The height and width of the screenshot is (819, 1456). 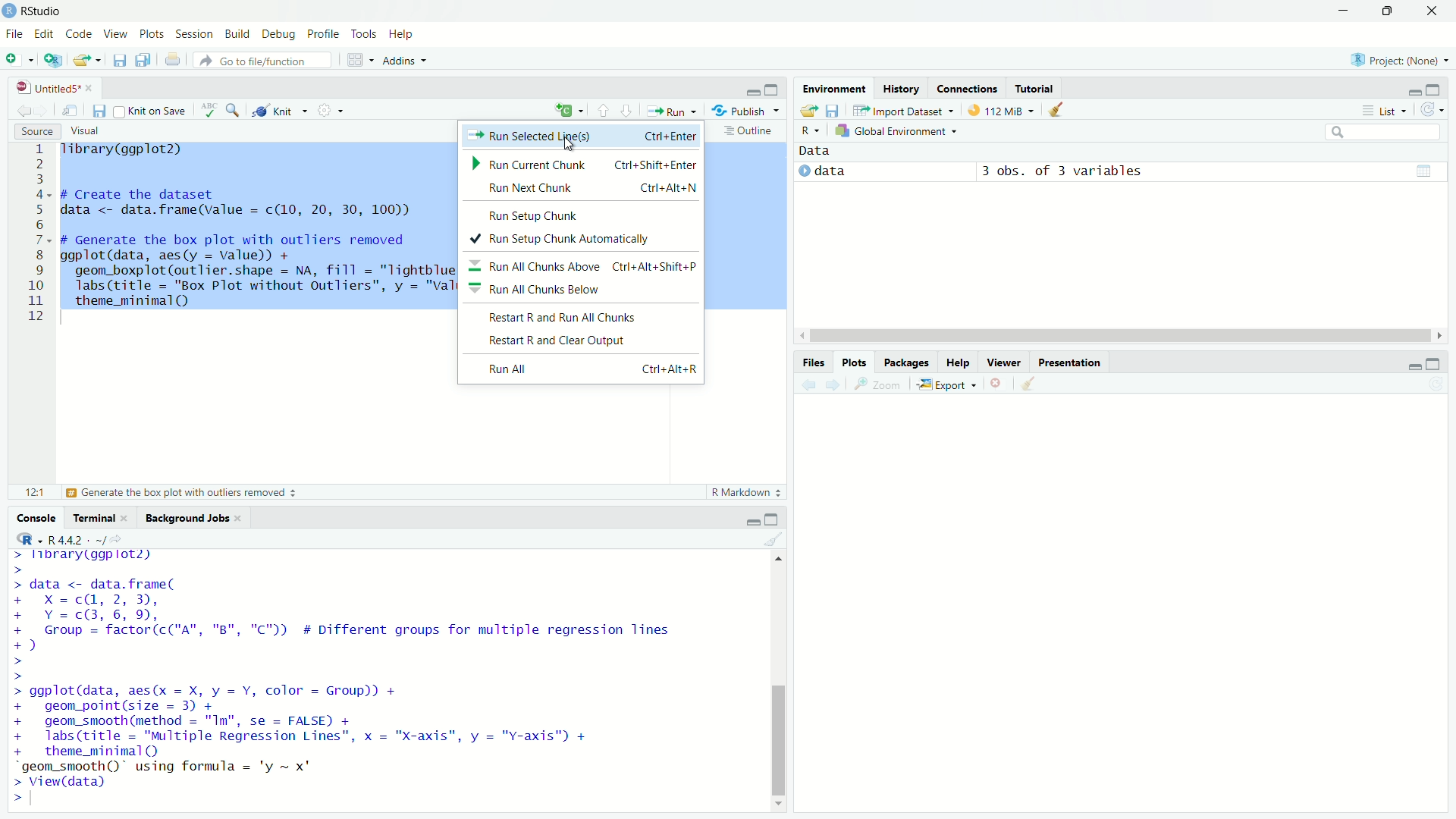 What do you see at coordinates (1432, 91) in the screenshot?
I see `maximise` at bounding box center [1432, 91].